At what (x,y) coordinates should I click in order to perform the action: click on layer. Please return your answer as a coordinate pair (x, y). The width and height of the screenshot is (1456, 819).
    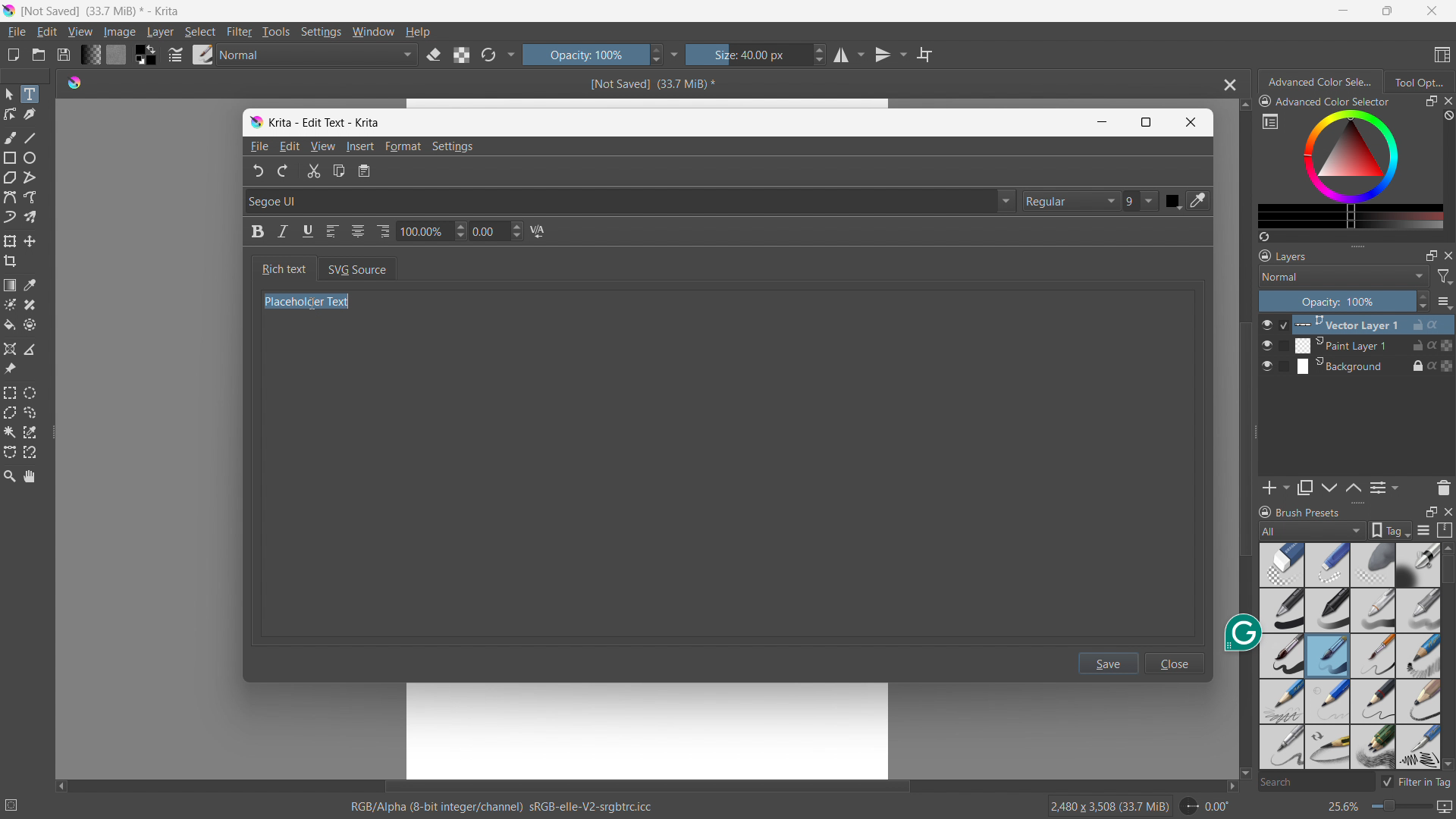
    Looking at the image, I should click on (160, 32).